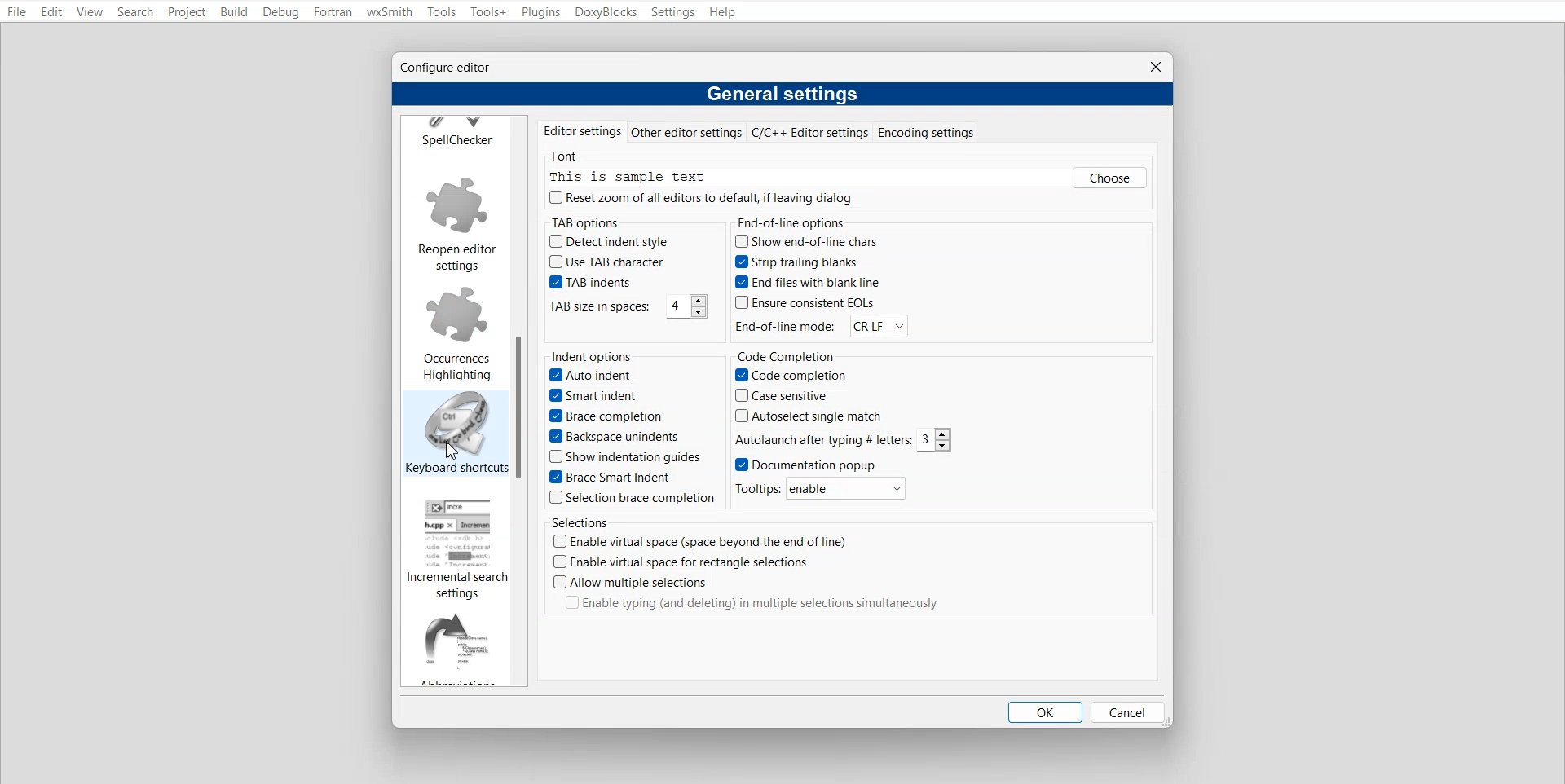 This screenshot has height=784, width=1565. What do you see at coordinates (455, 132) in the screenshot?
I see `Spell Checker` at bounding box center [455, 132].